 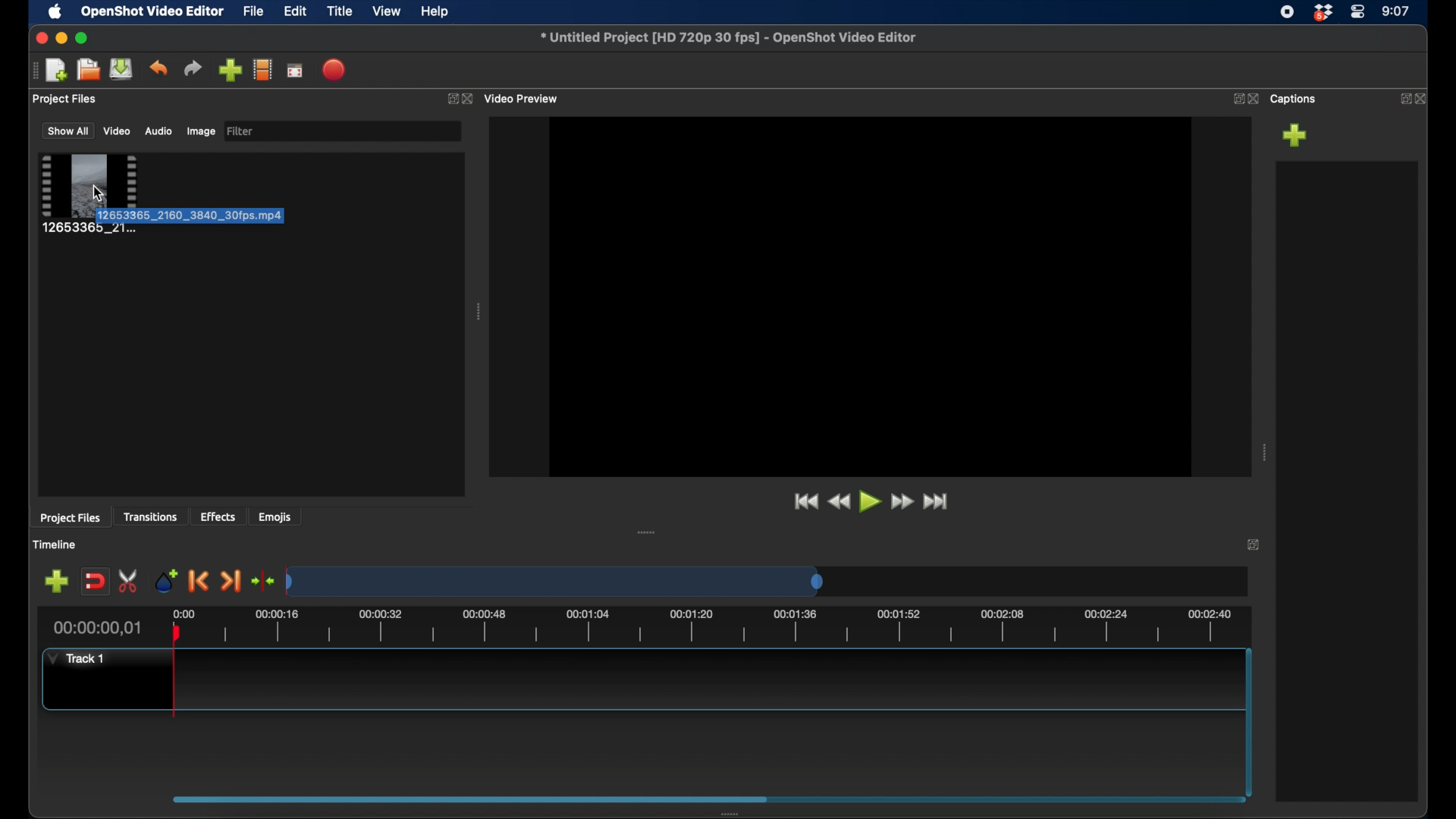 I want to click on drag handle, so click(x=646, y=531).